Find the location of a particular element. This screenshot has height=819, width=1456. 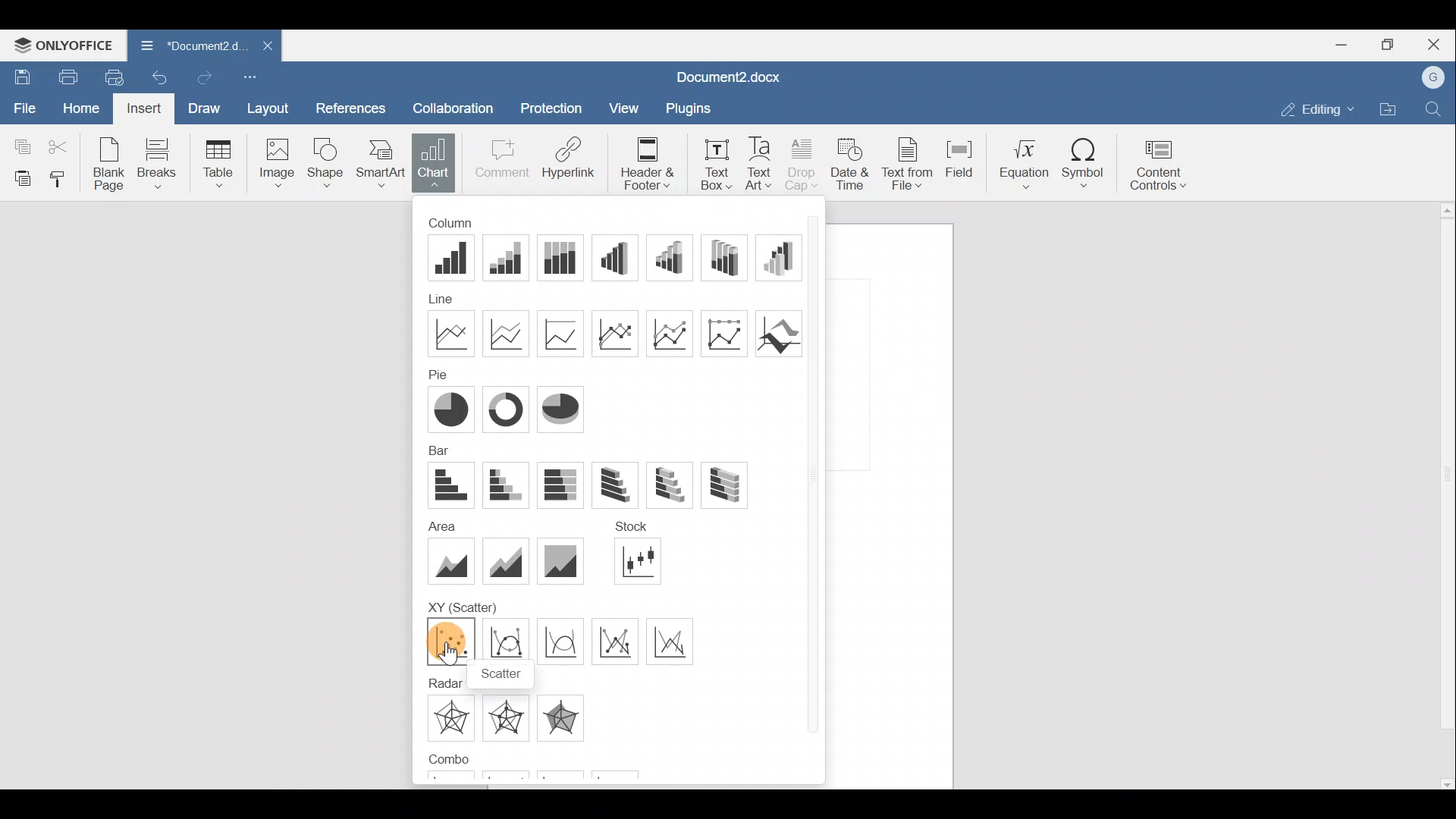

100% Stacked Line with markers is located at coordinates (730, 333).